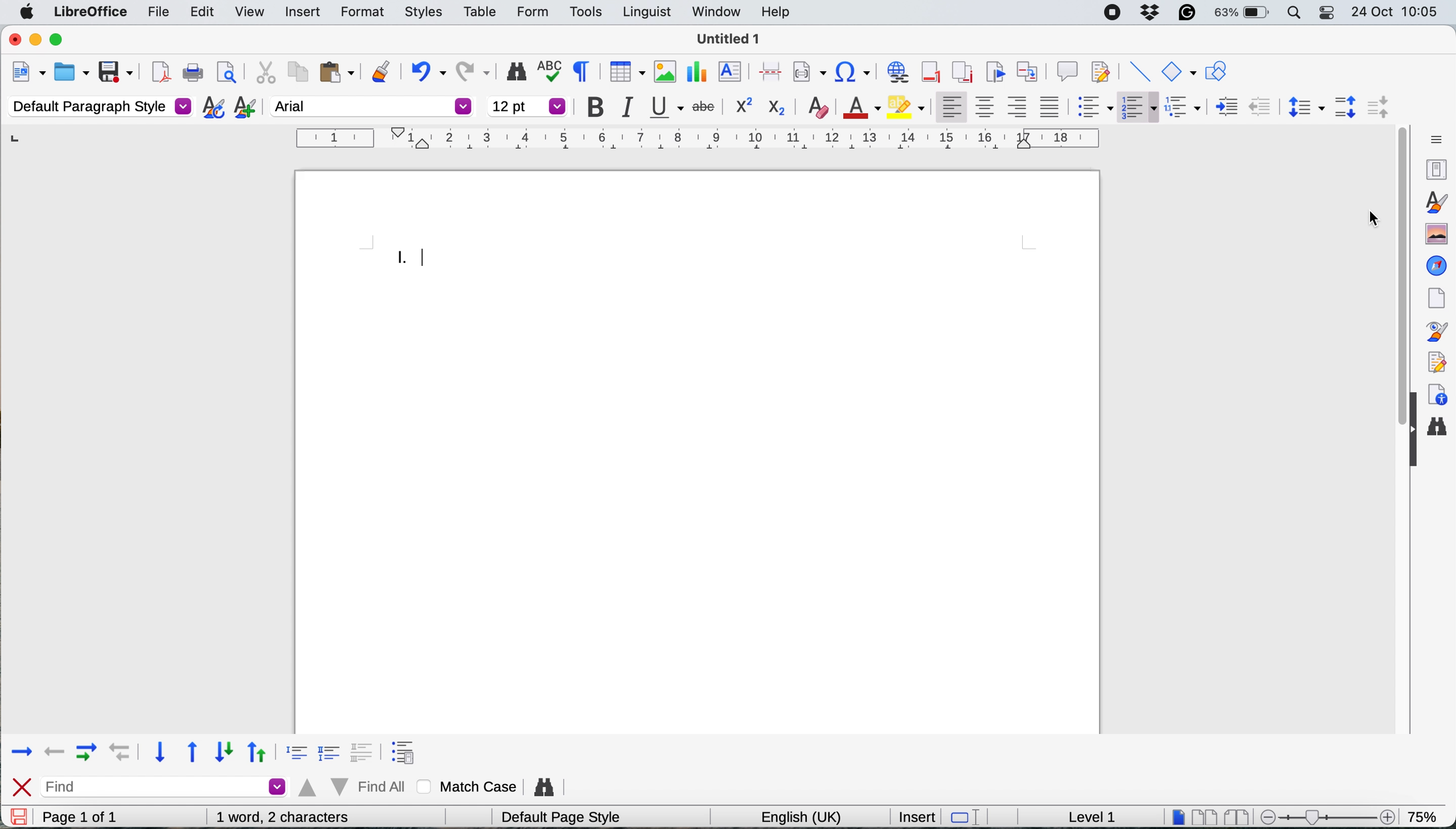  Describe the element at coordinates (1030, 69) in the screenshot. I see `insert cross reference` at that location.